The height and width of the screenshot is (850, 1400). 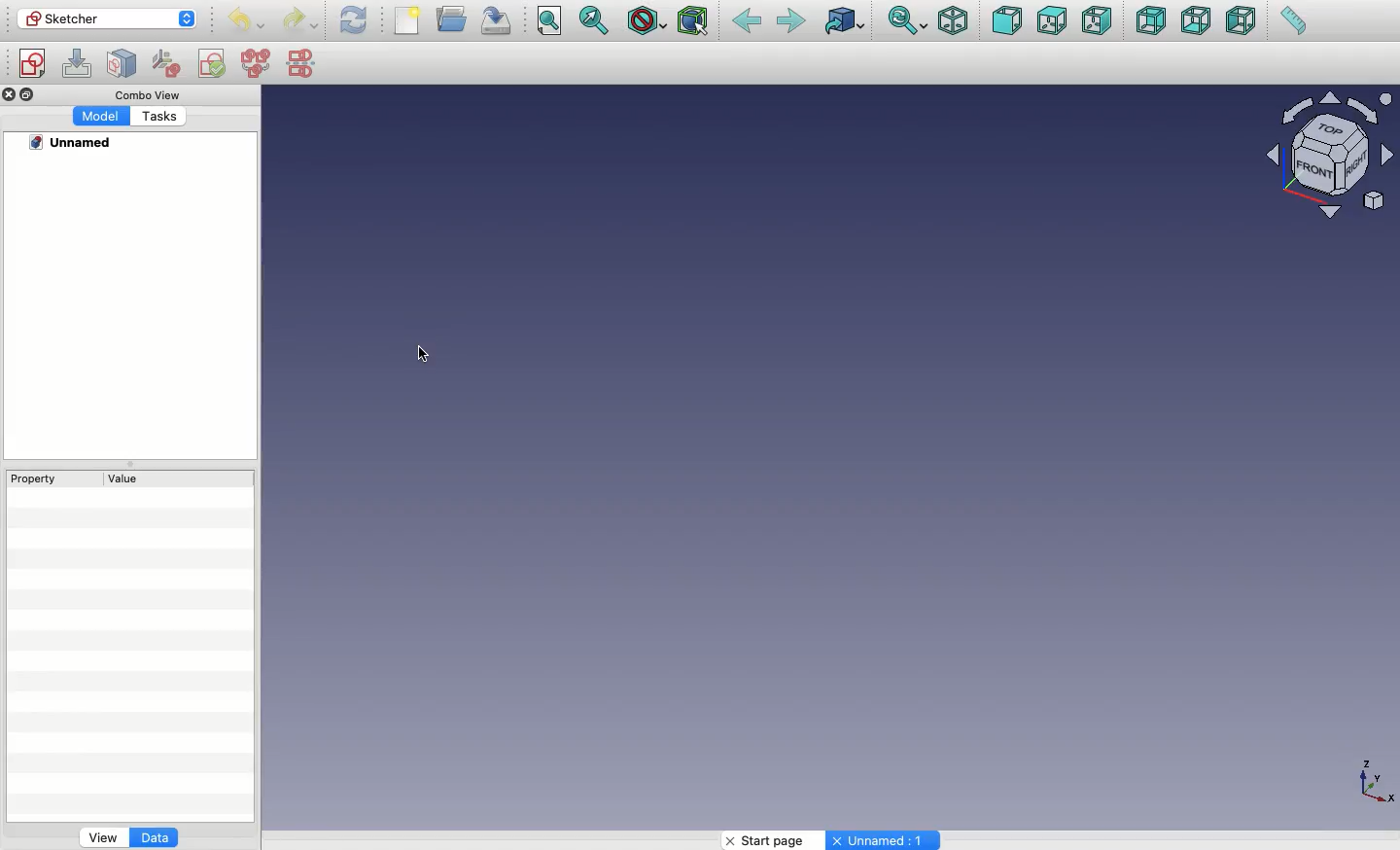 What do you see at coordinates (888, 840) in the screenshot?
I see `Unnamed: 1` at bounding box center [888, 840].